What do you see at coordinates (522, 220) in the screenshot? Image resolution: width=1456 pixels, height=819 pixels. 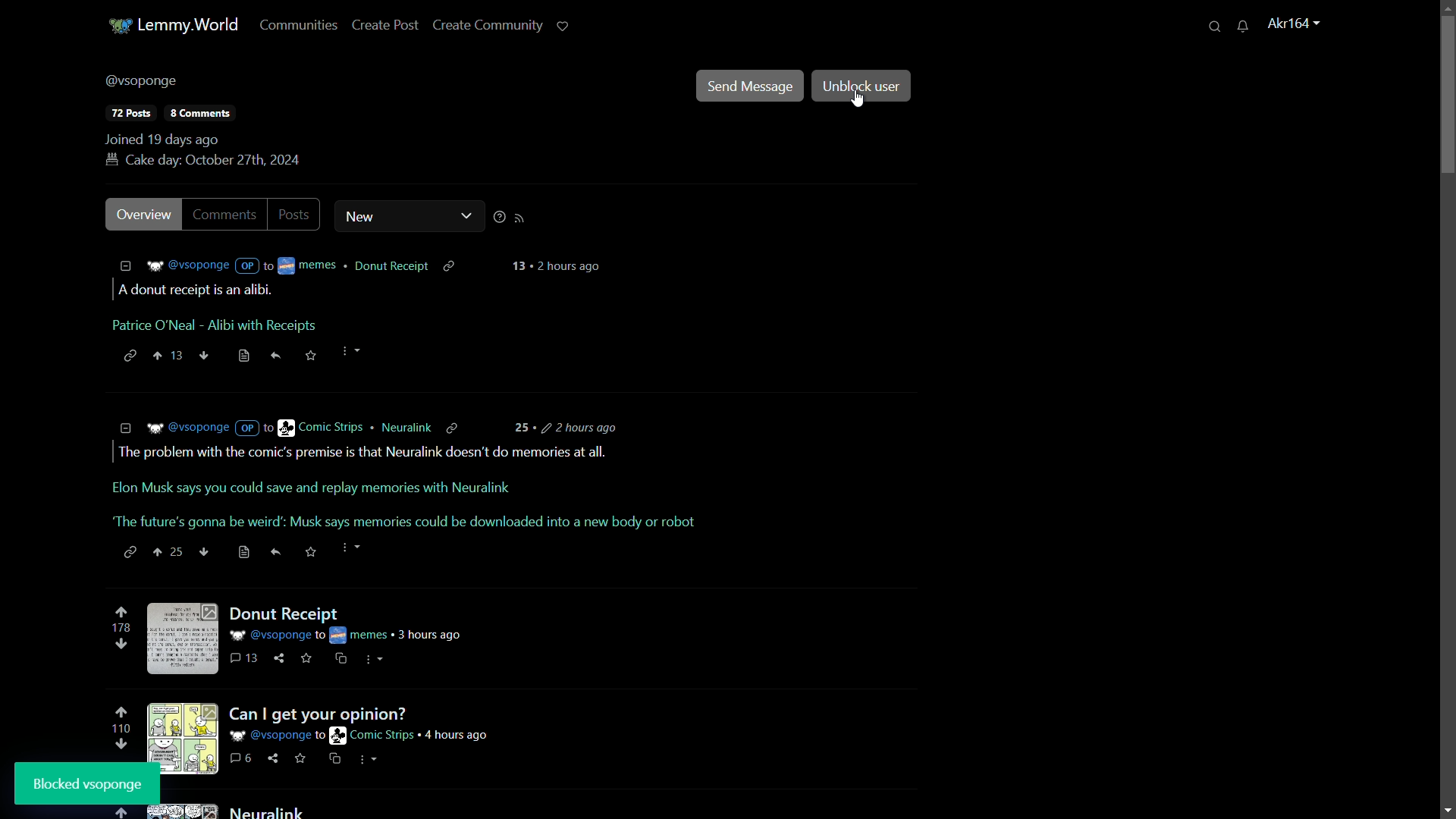 I see `rss` at bounding box center [522, 220].